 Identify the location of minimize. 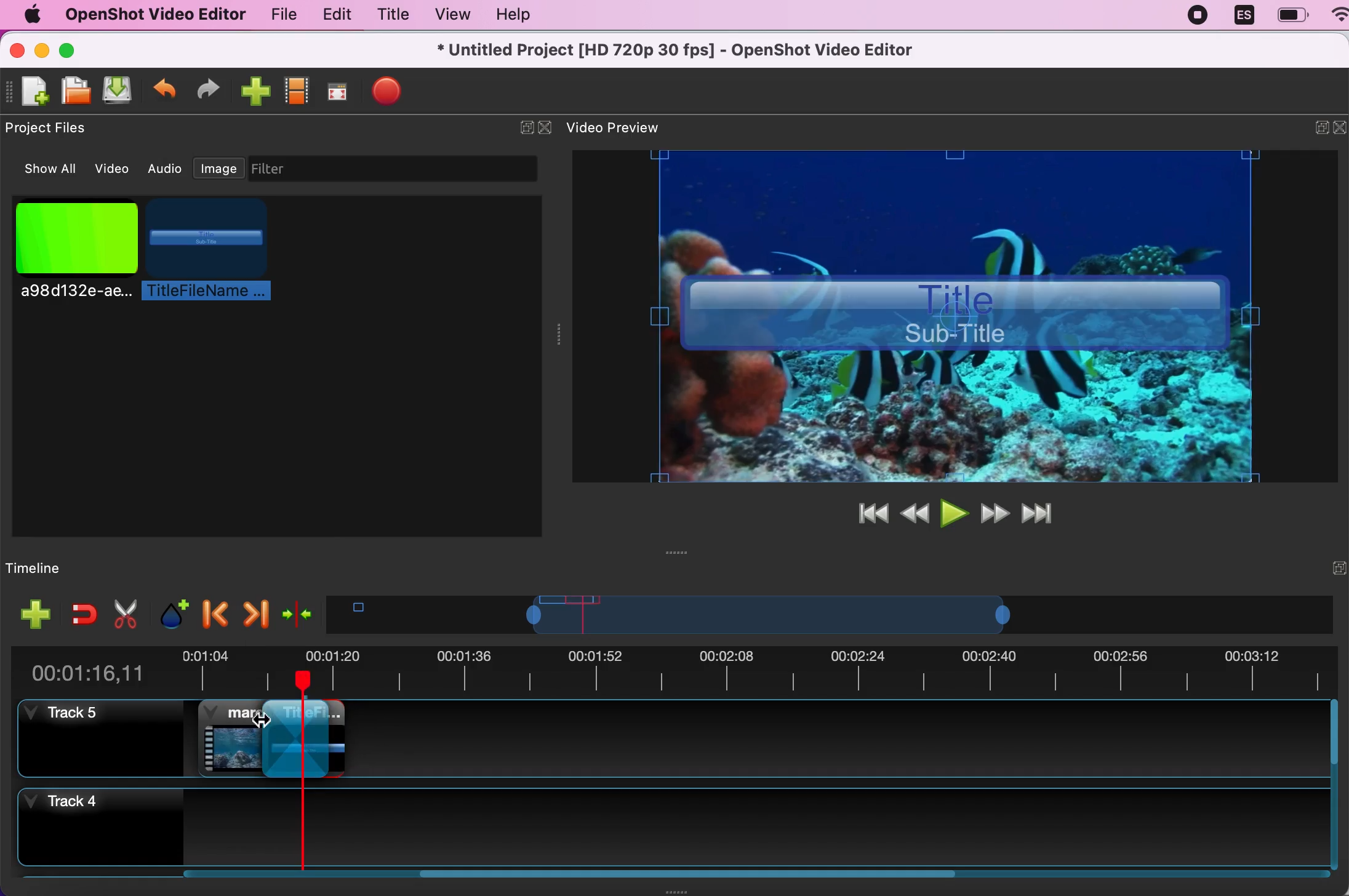
(1312, 130).